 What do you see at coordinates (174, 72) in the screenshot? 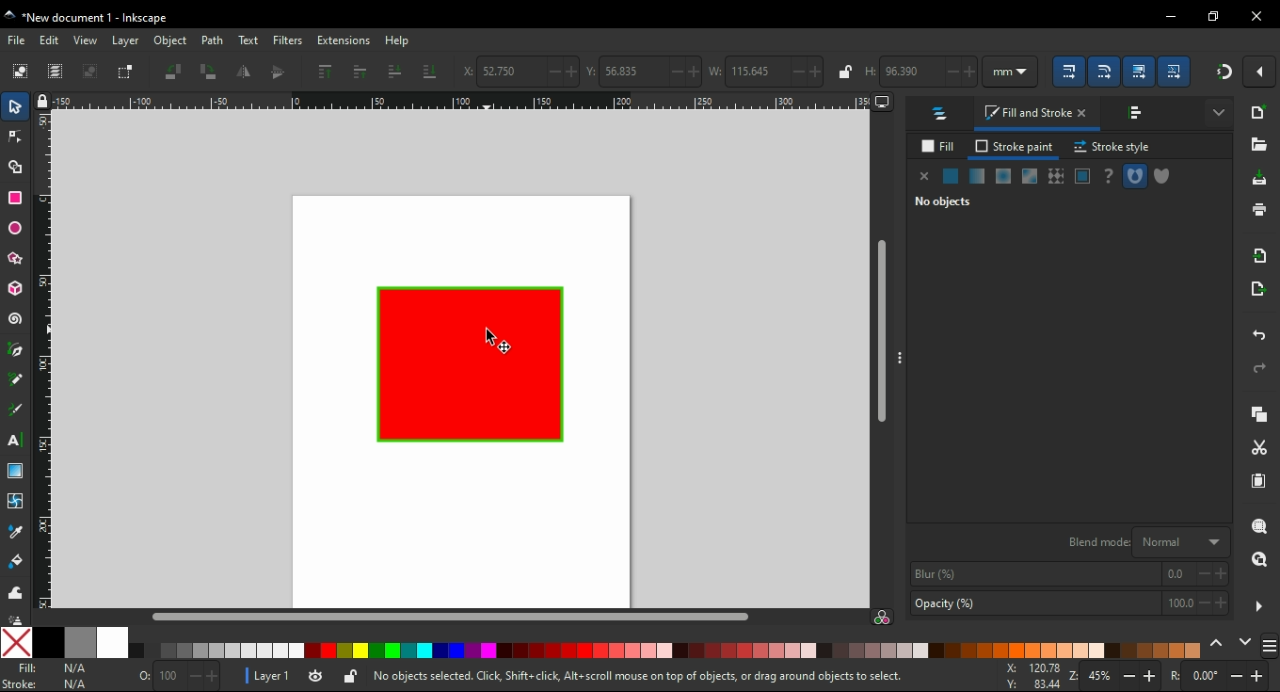
I see `object rotate 90 CCW ` at bounding box center [174, 72].